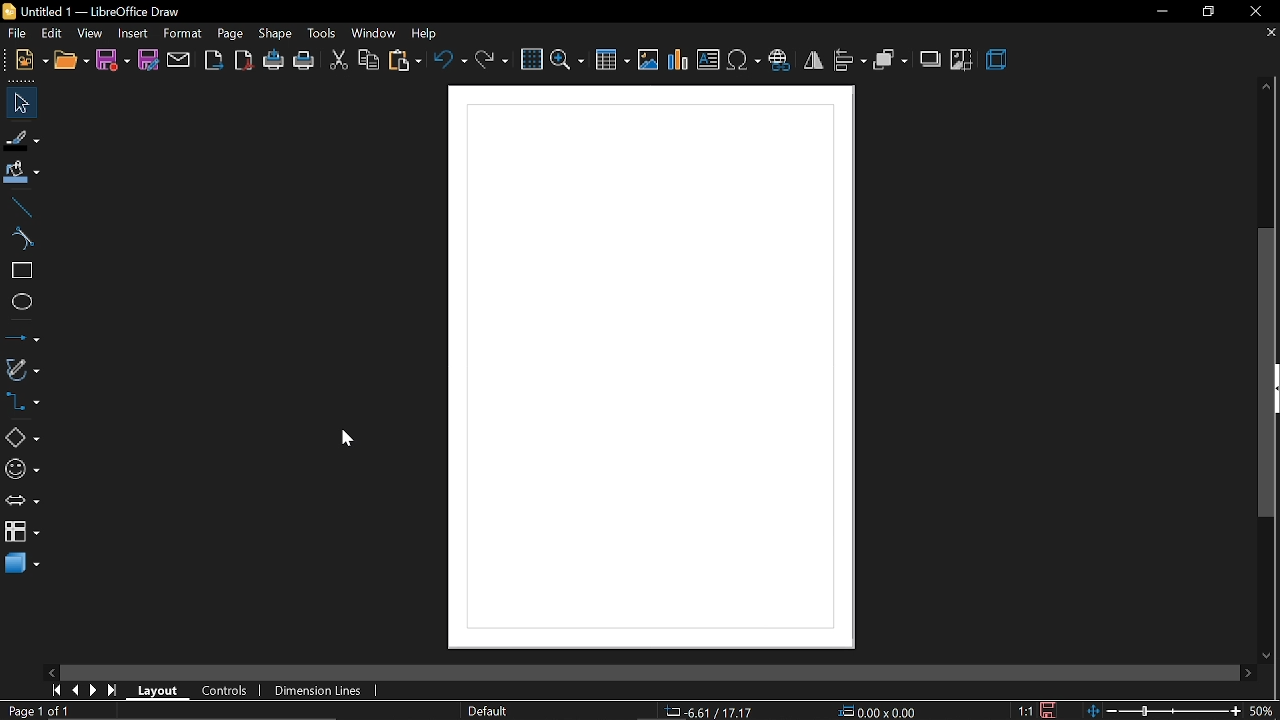  Describe the element at coordinates (23, 369) in the screenshot. I see `curves and polygon` at that location.